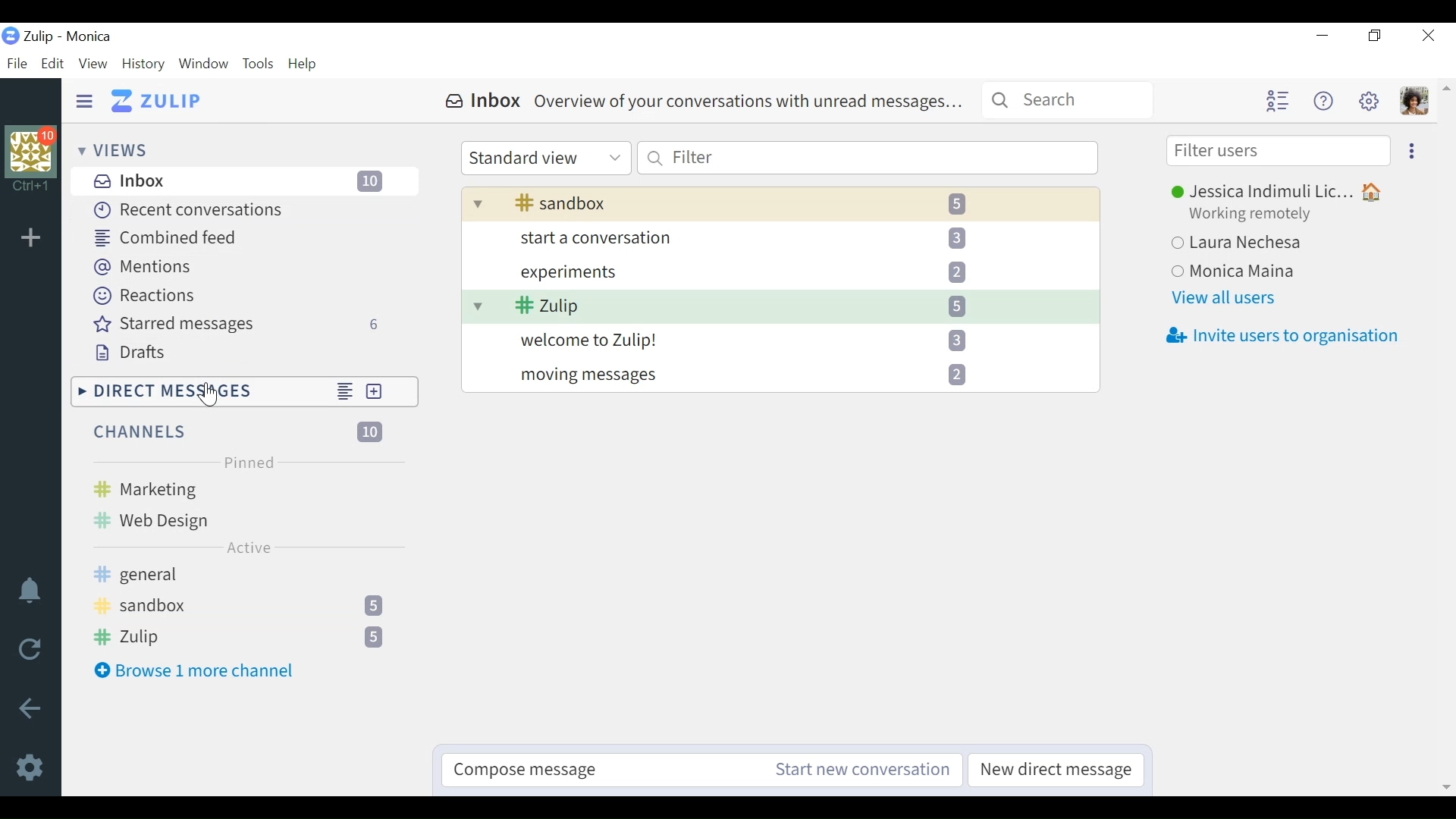  I want to click on Back, so click(30, 707).